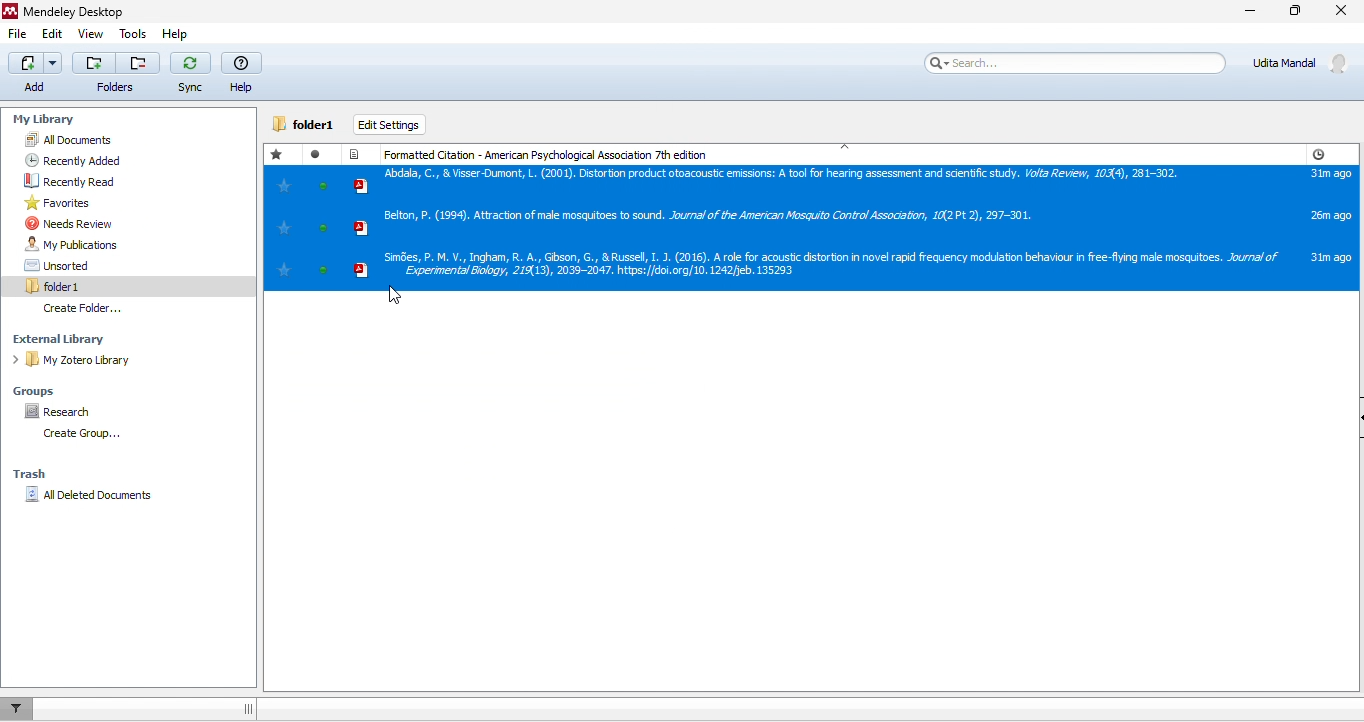 The height and width of the screenshot is (722, 1364). Describe the element at coordinates (69, 11) in the screenshot. I see `Mendeley Desktop` at that location.